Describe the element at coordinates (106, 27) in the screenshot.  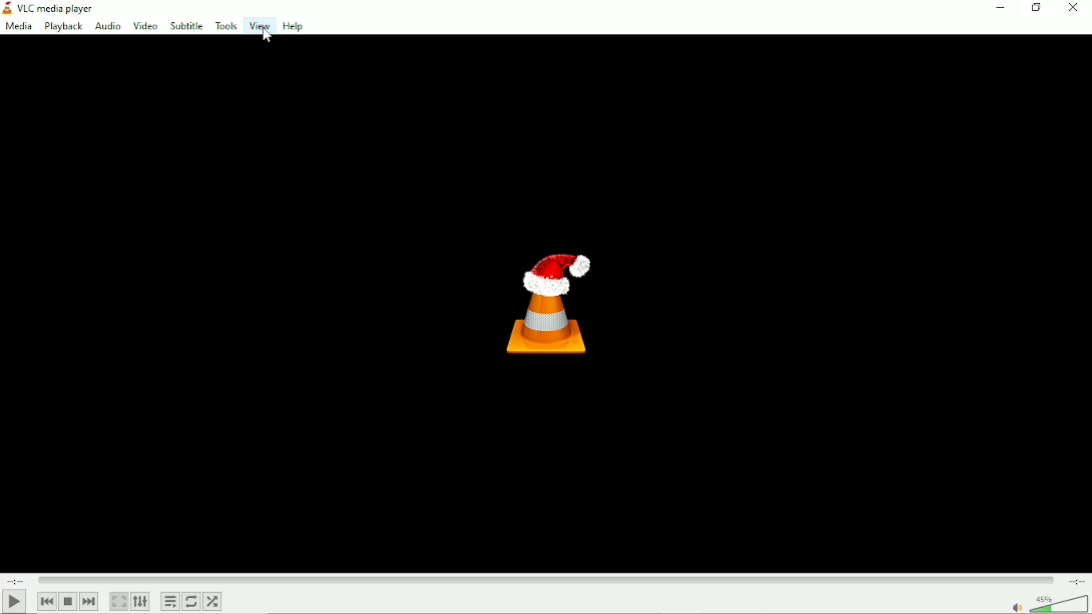
I see `Audio` at that location.